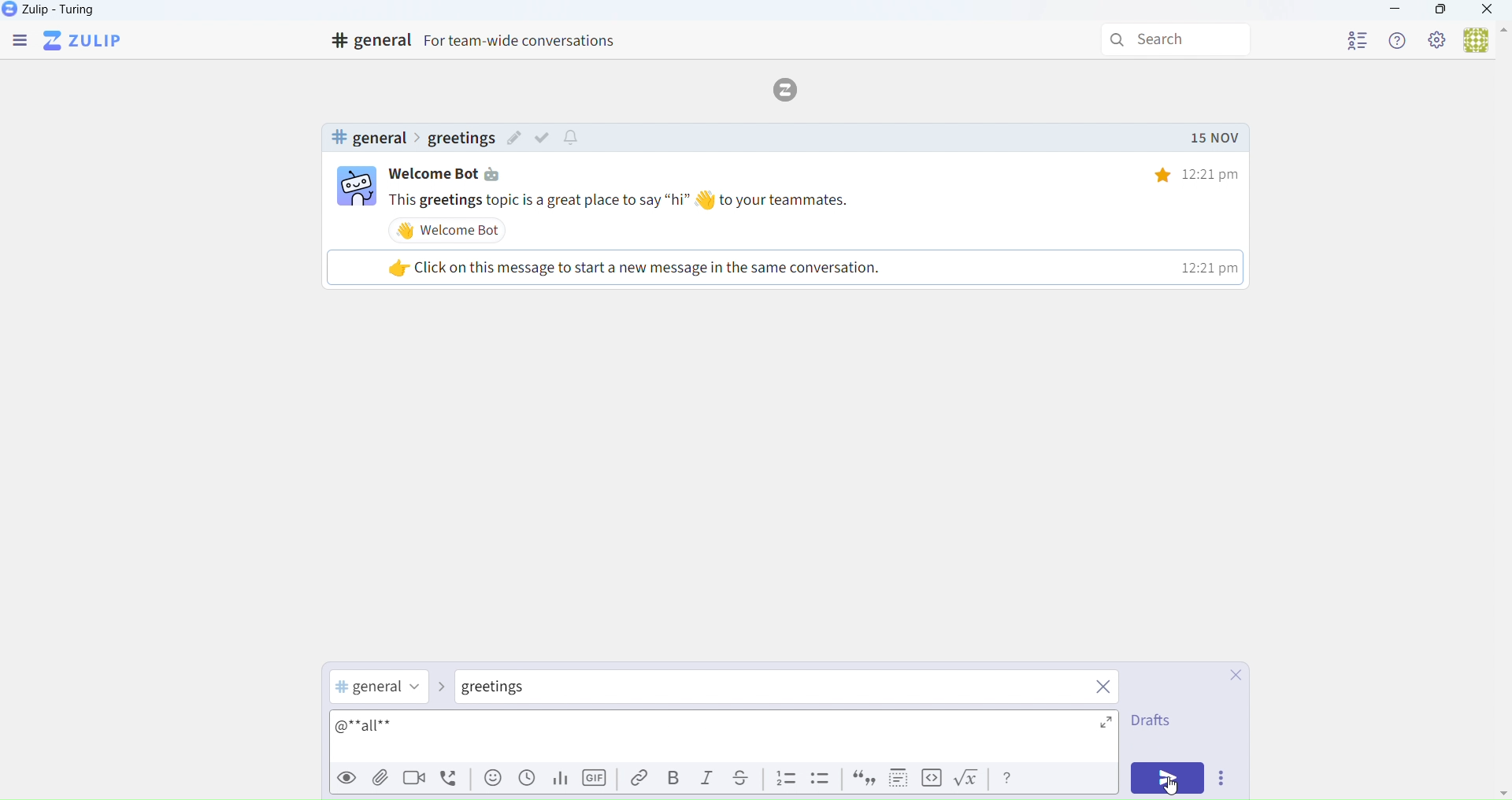 Image resolution: width=1512 pixels, height=800 pixels. What do you see at coordinates (573, 139) in the screenshot?
I see `notify` at bounding box center [573, 139].